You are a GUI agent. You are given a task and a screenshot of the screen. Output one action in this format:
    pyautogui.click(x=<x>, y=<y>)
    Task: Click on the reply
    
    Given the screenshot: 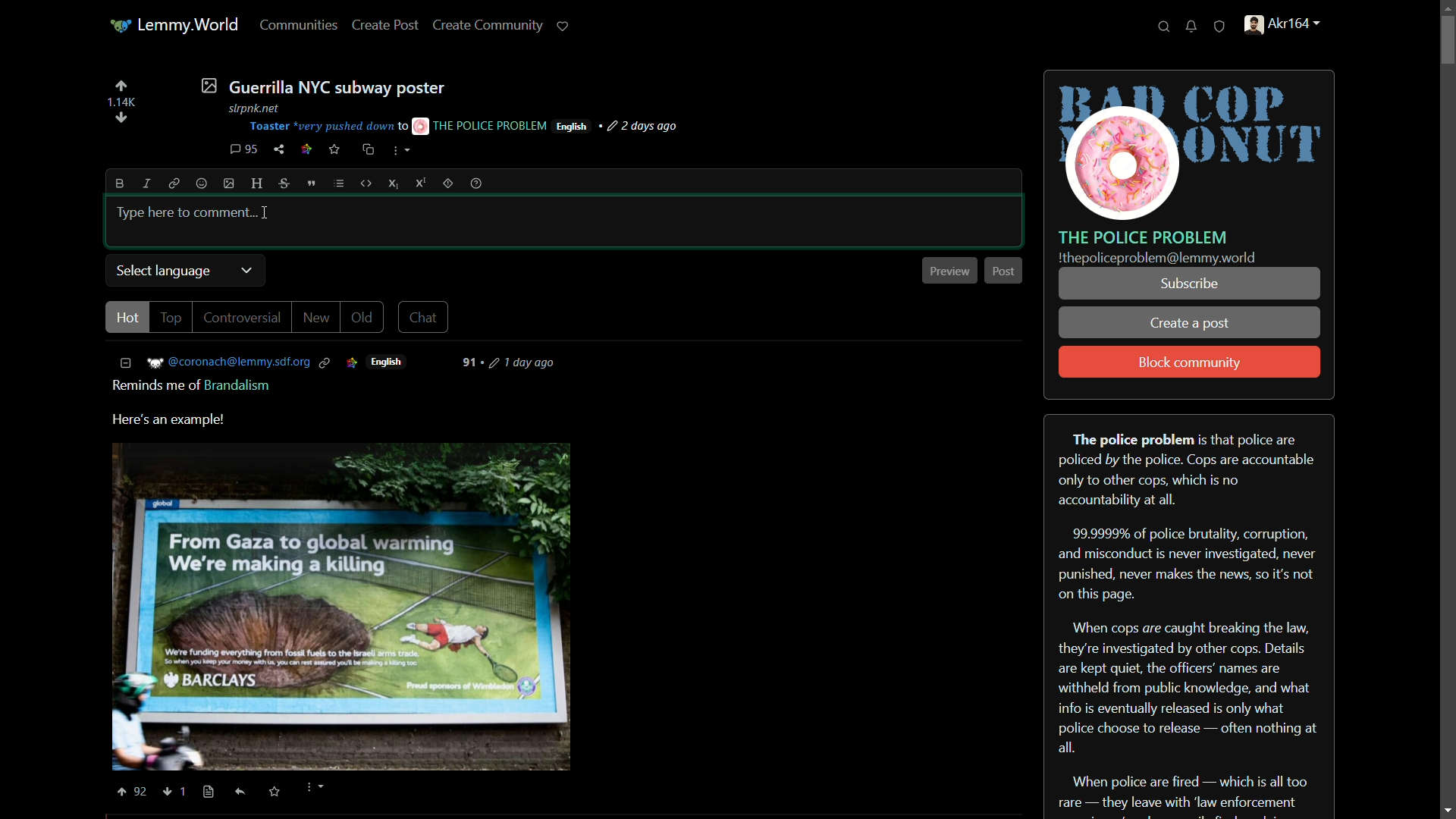 What is the action you would take?
    pyautogui.click(x=244, y=794)
    